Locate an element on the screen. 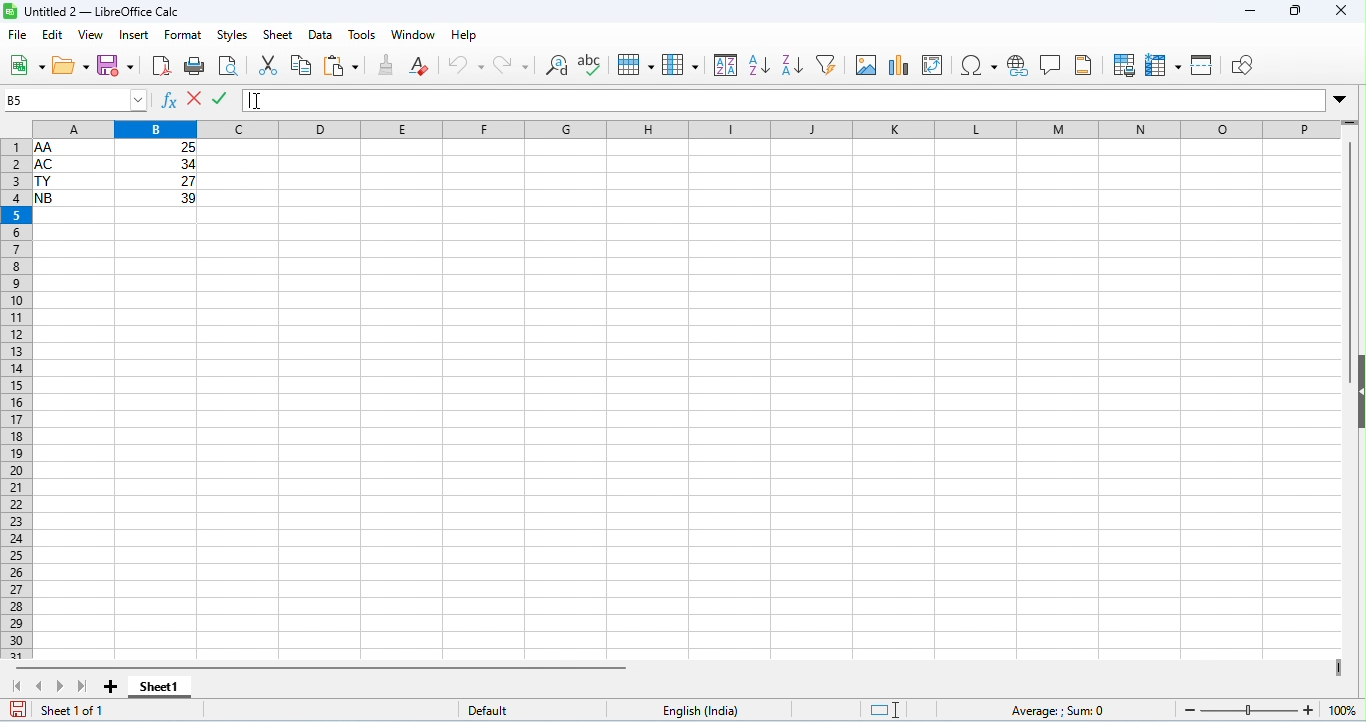 Image resolution: width=1366 pixels, height=722 pixels. insert is located at coordinates (134, 35).